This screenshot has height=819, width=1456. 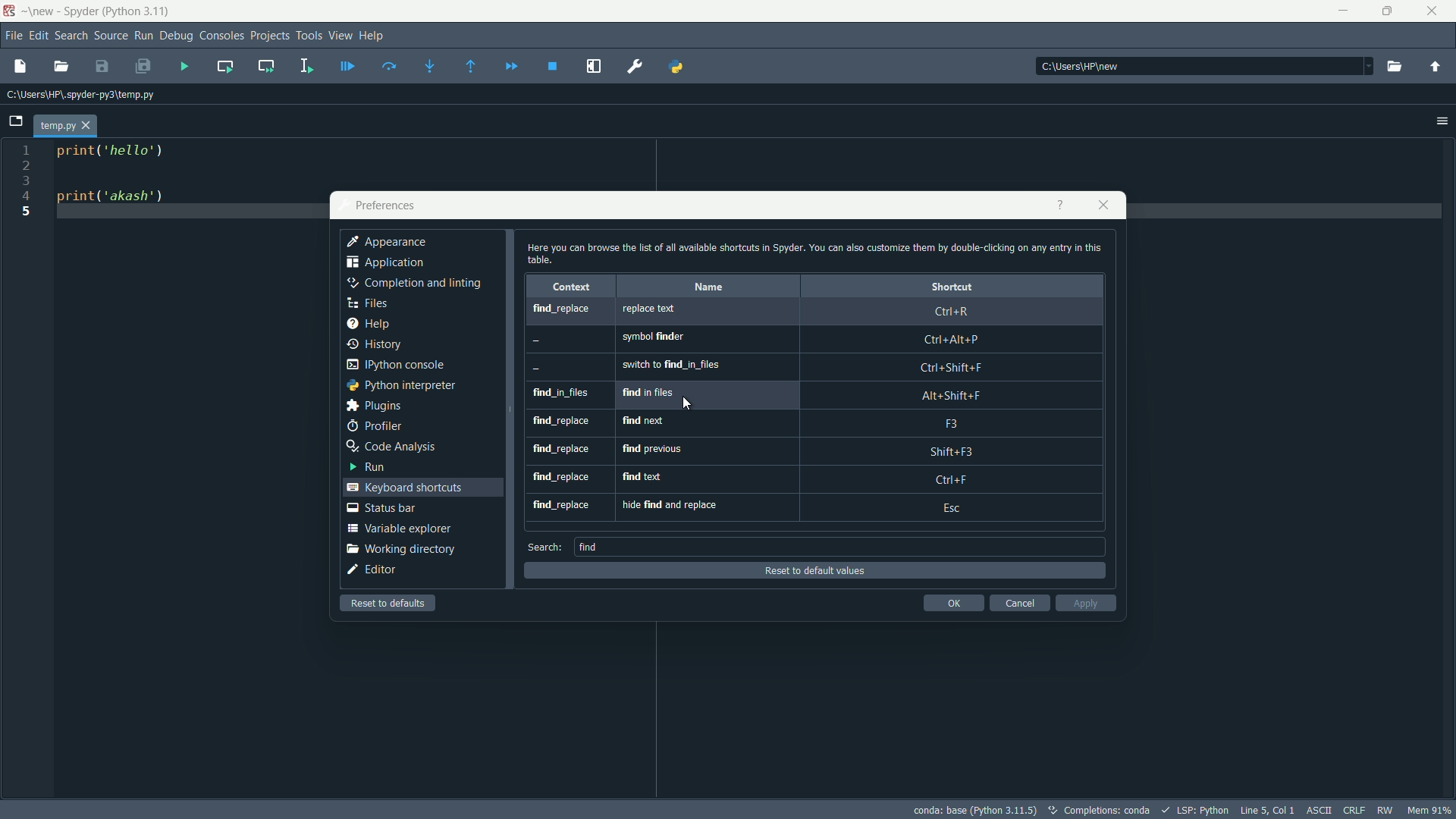 I want to click on file directory: c:\users\hp\new, so click(x=1206, y=67).